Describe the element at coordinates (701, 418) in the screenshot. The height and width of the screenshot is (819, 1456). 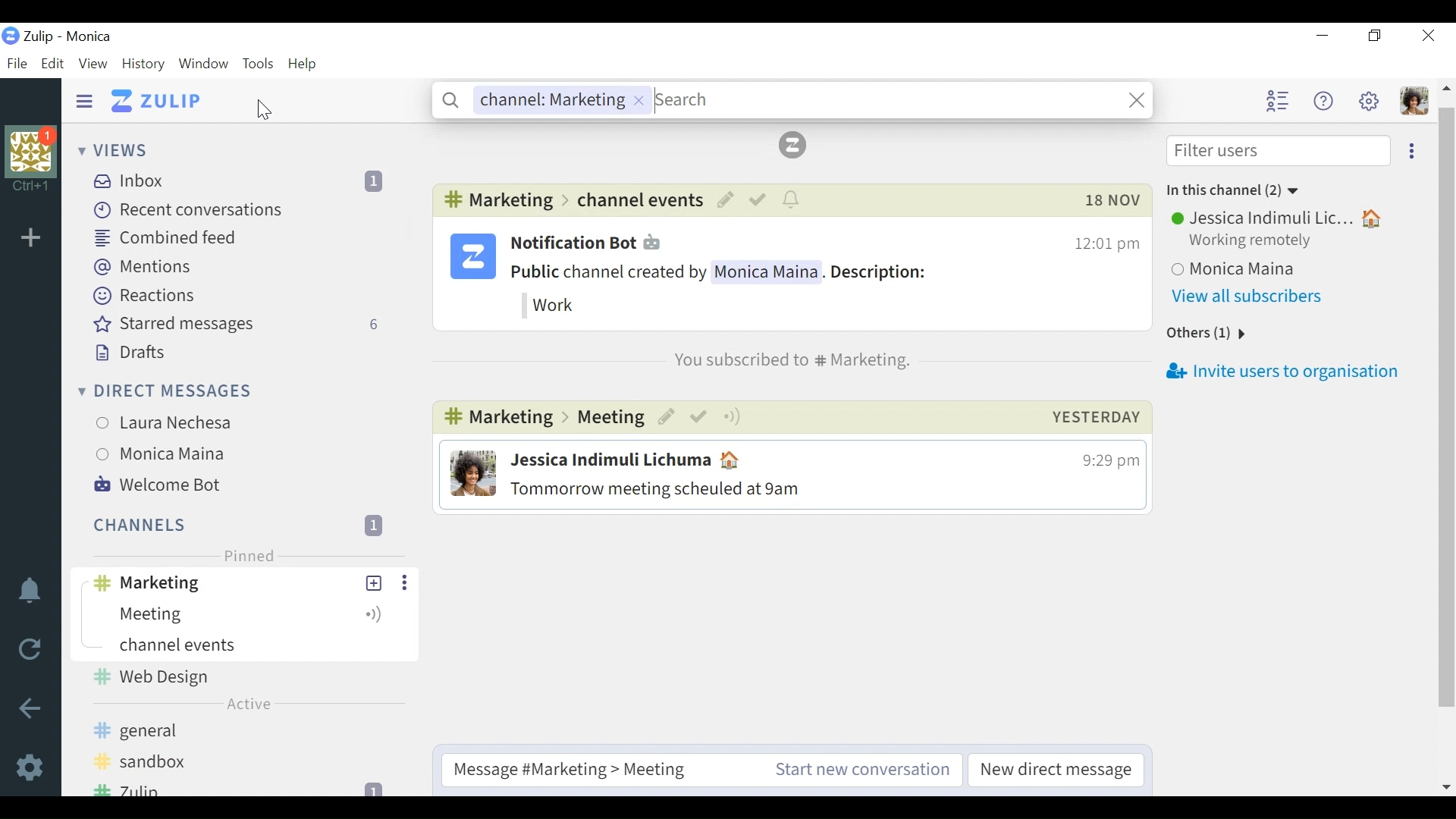
I see `mark as resolved` at that location.